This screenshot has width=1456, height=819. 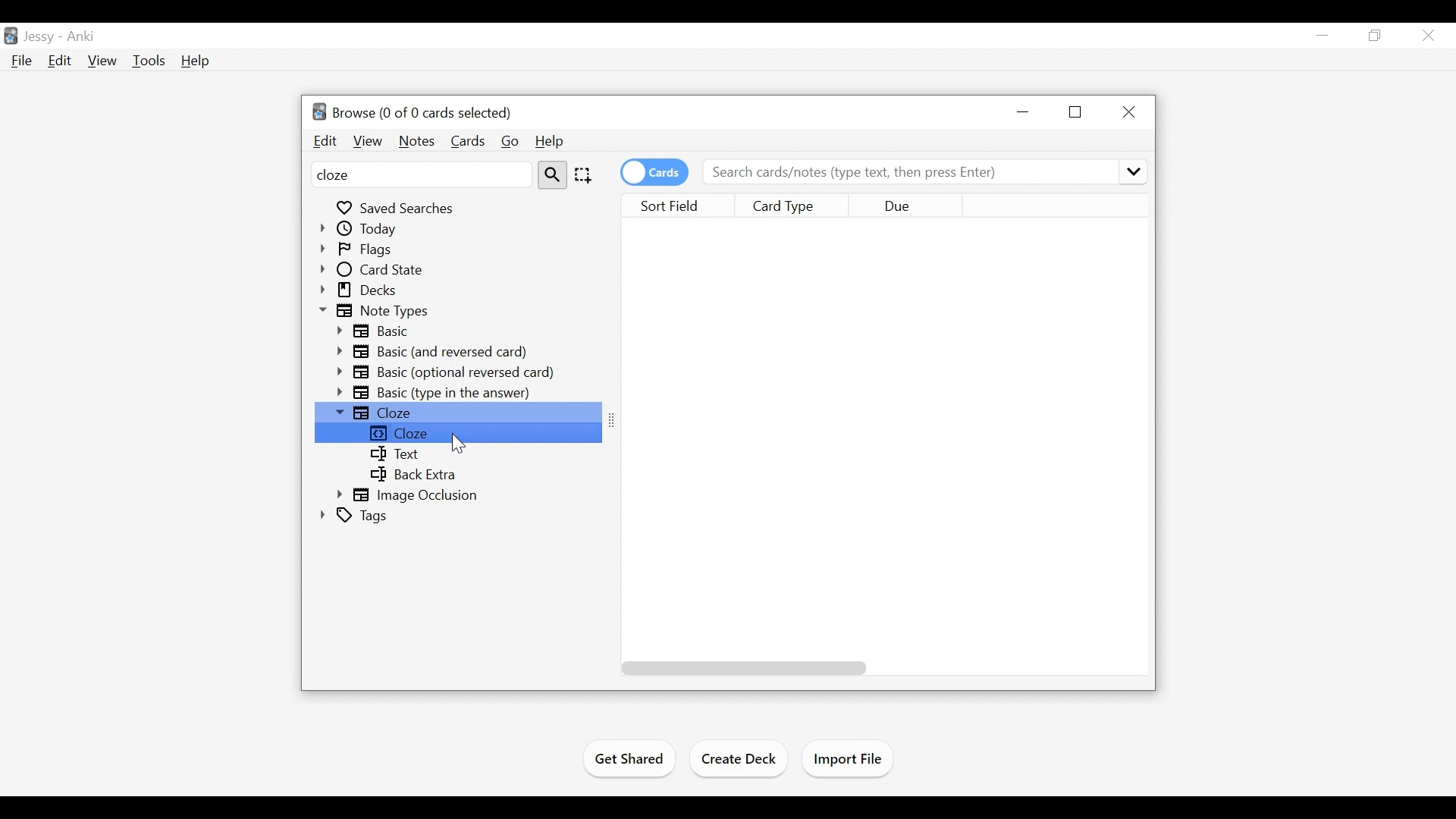 I want to click on File, so click(x=24, y=61).